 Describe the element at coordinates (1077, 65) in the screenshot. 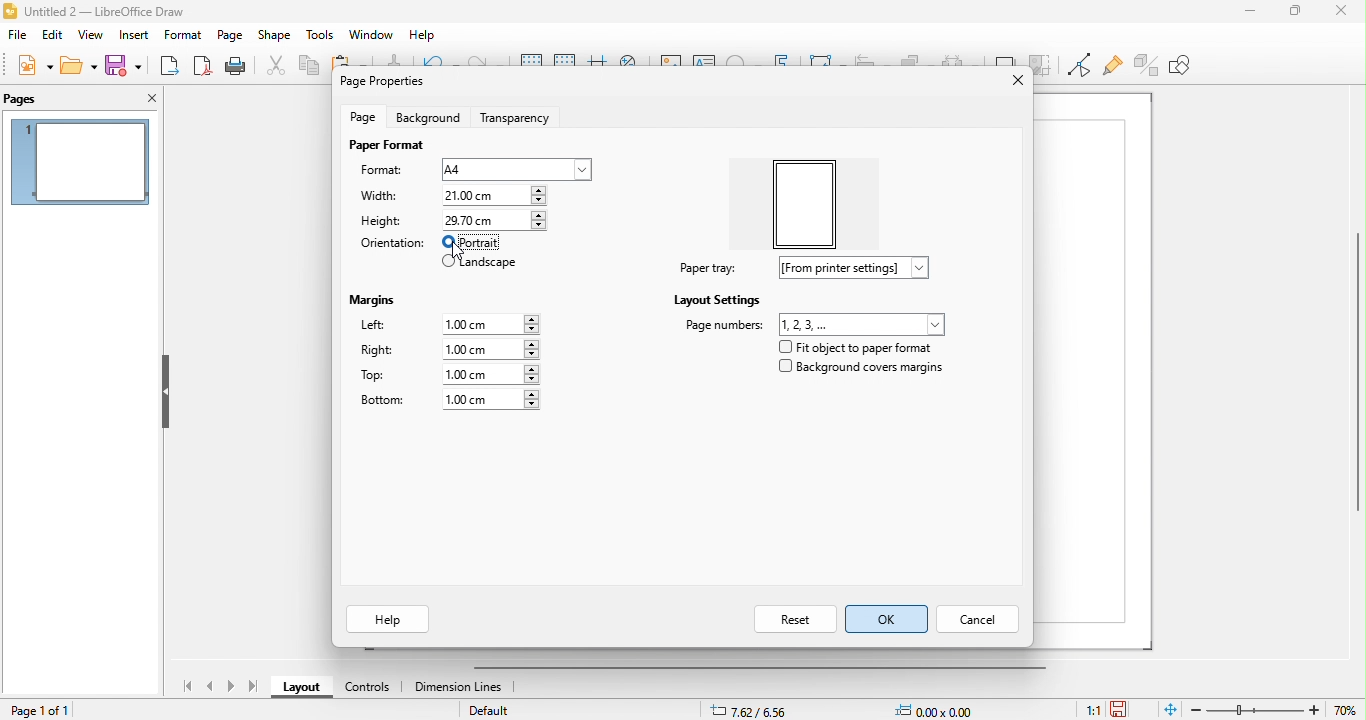

I see `toggle point edit mode` at that location.